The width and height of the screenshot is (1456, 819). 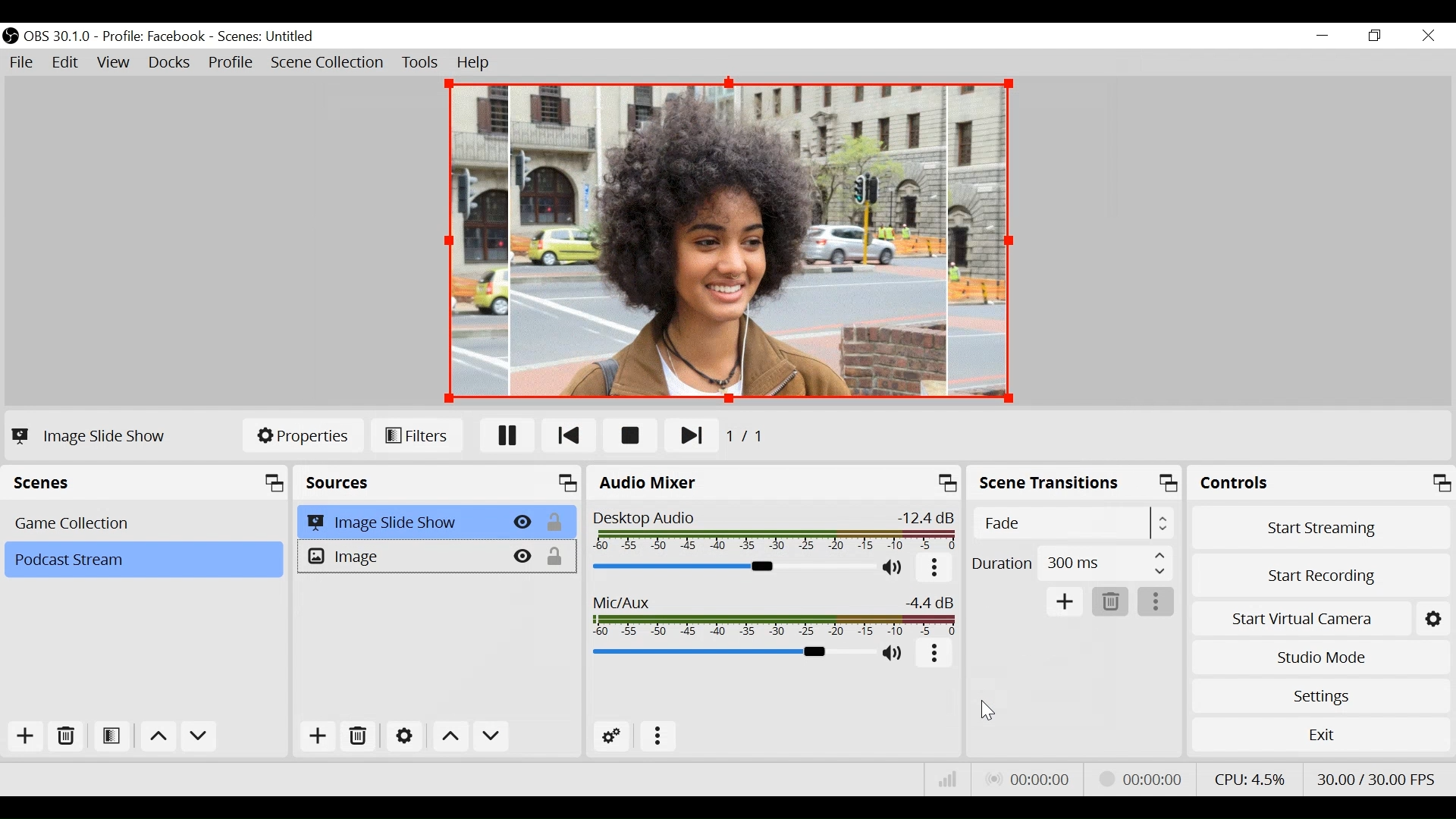 I want to click on OBS Desktop Icon, so click(x=11, y=36).